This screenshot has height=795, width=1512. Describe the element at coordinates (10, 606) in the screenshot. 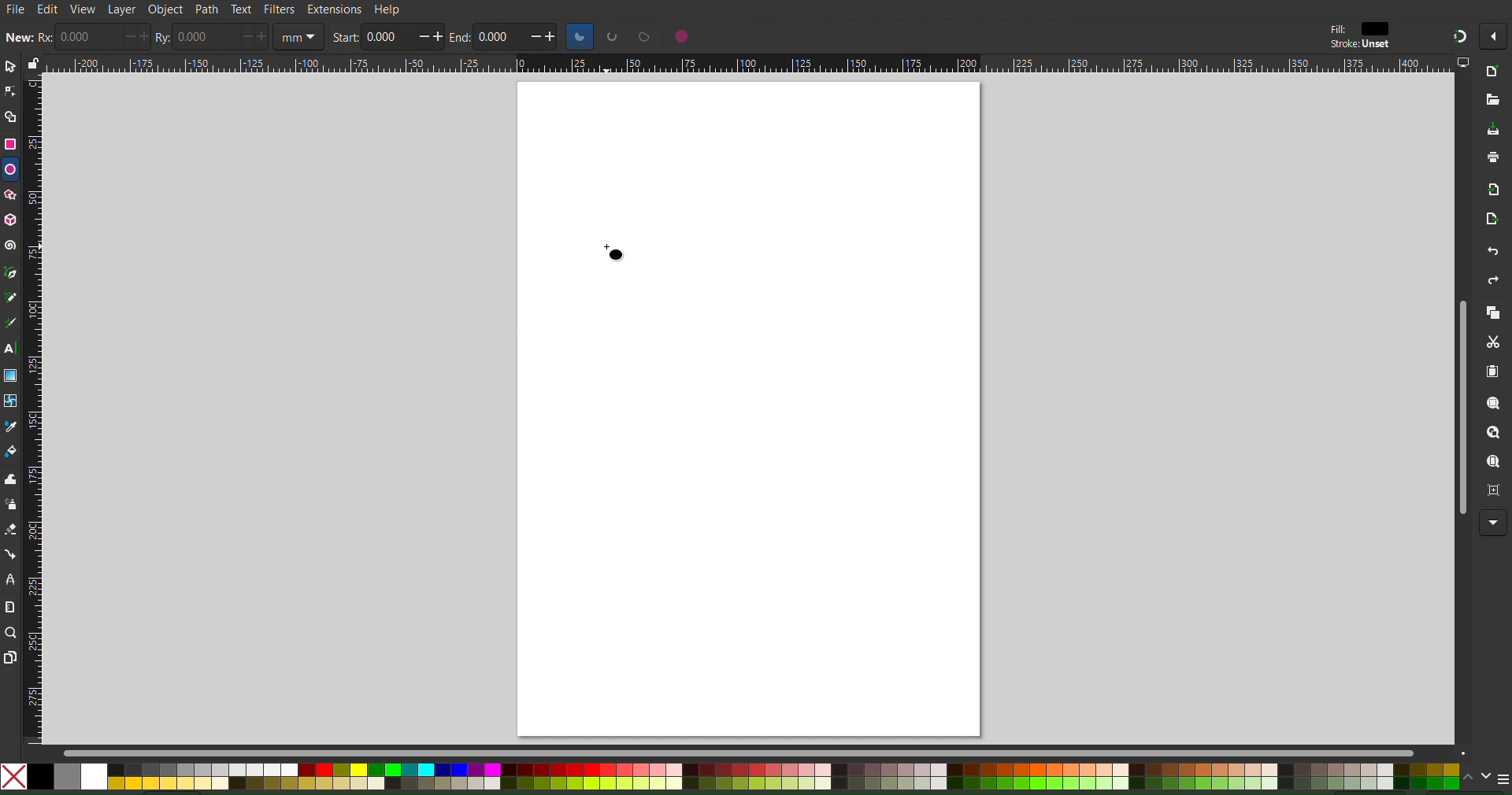

I see `Measure Tool` at that location.